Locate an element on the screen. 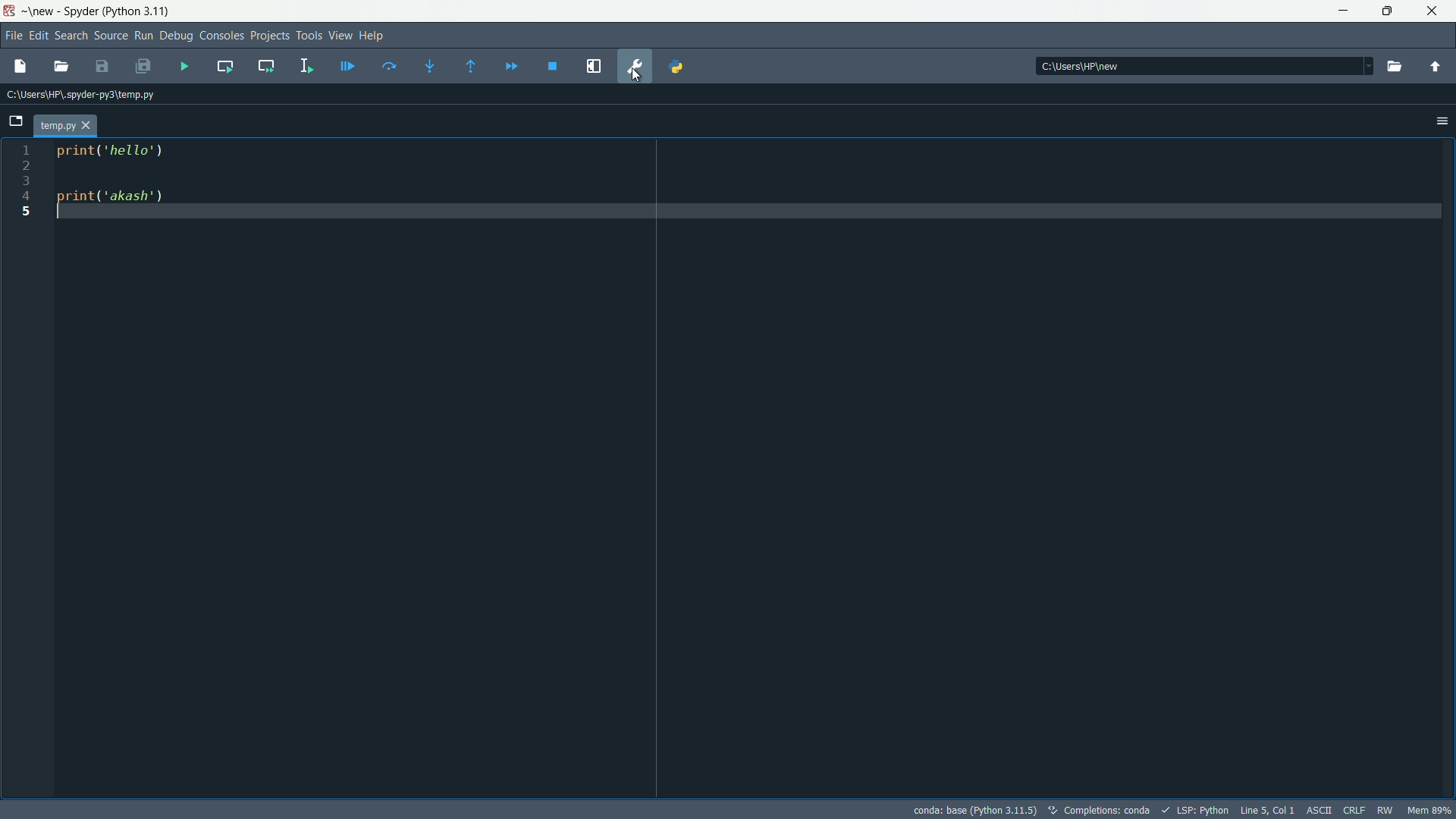 The image size is (1456, 819). run current line is located at coordinates (389, 66).